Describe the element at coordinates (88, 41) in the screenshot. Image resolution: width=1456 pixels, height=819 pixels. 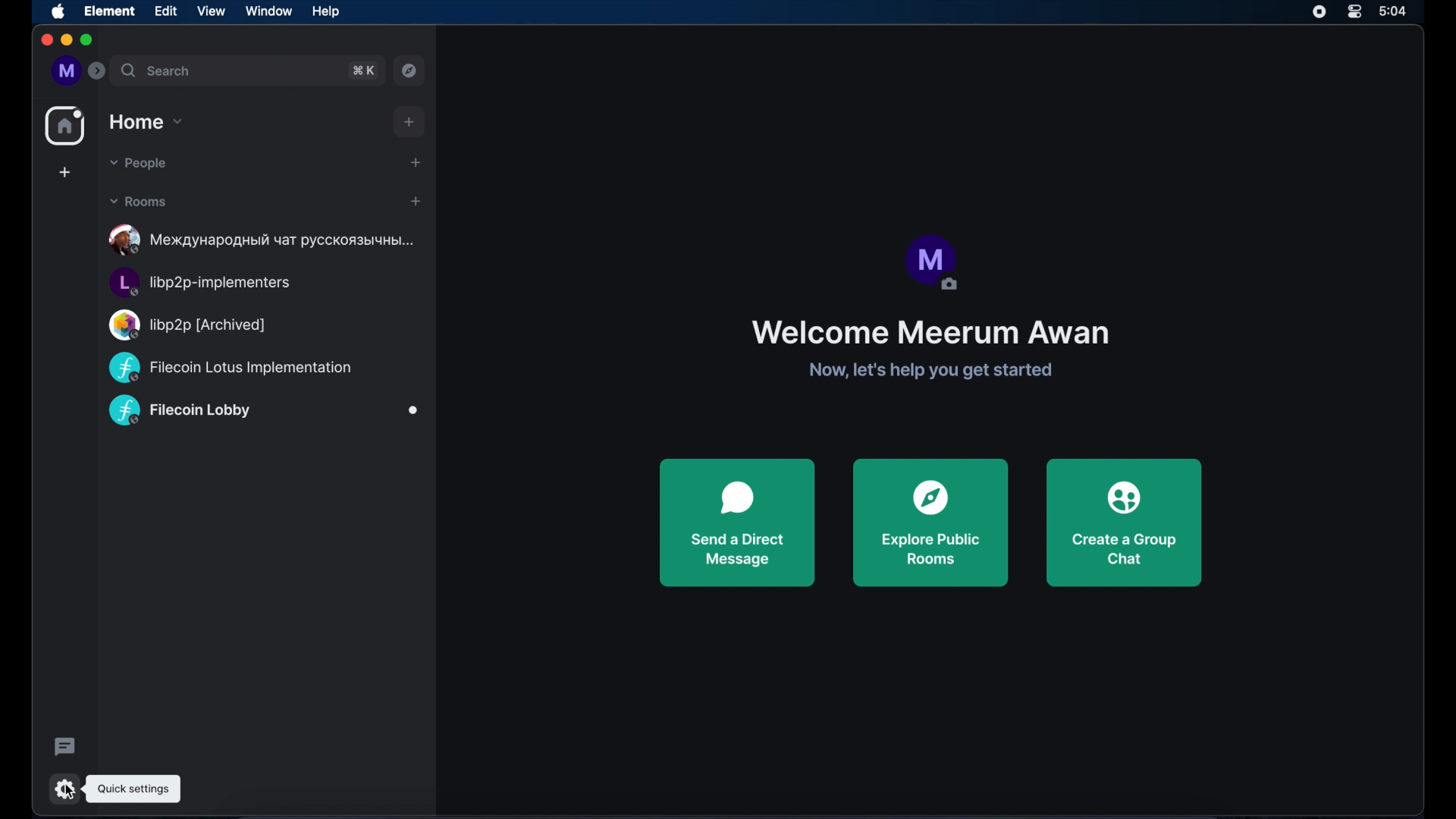
I see `maximize` at that location.